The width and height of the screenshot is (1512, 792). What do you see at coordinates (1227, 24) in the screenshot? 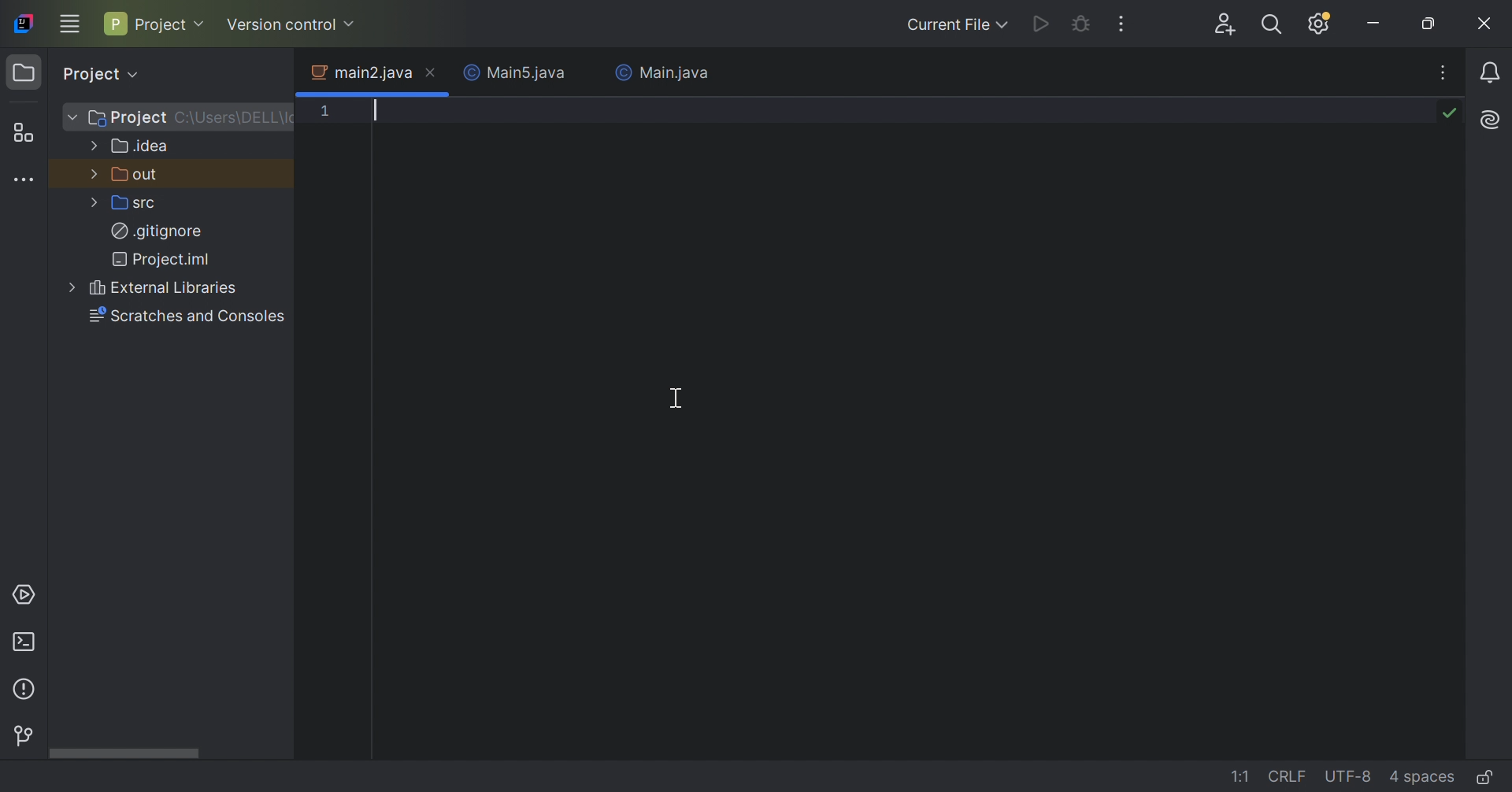
I see `Code with me` at bounding box center [1227, 24].